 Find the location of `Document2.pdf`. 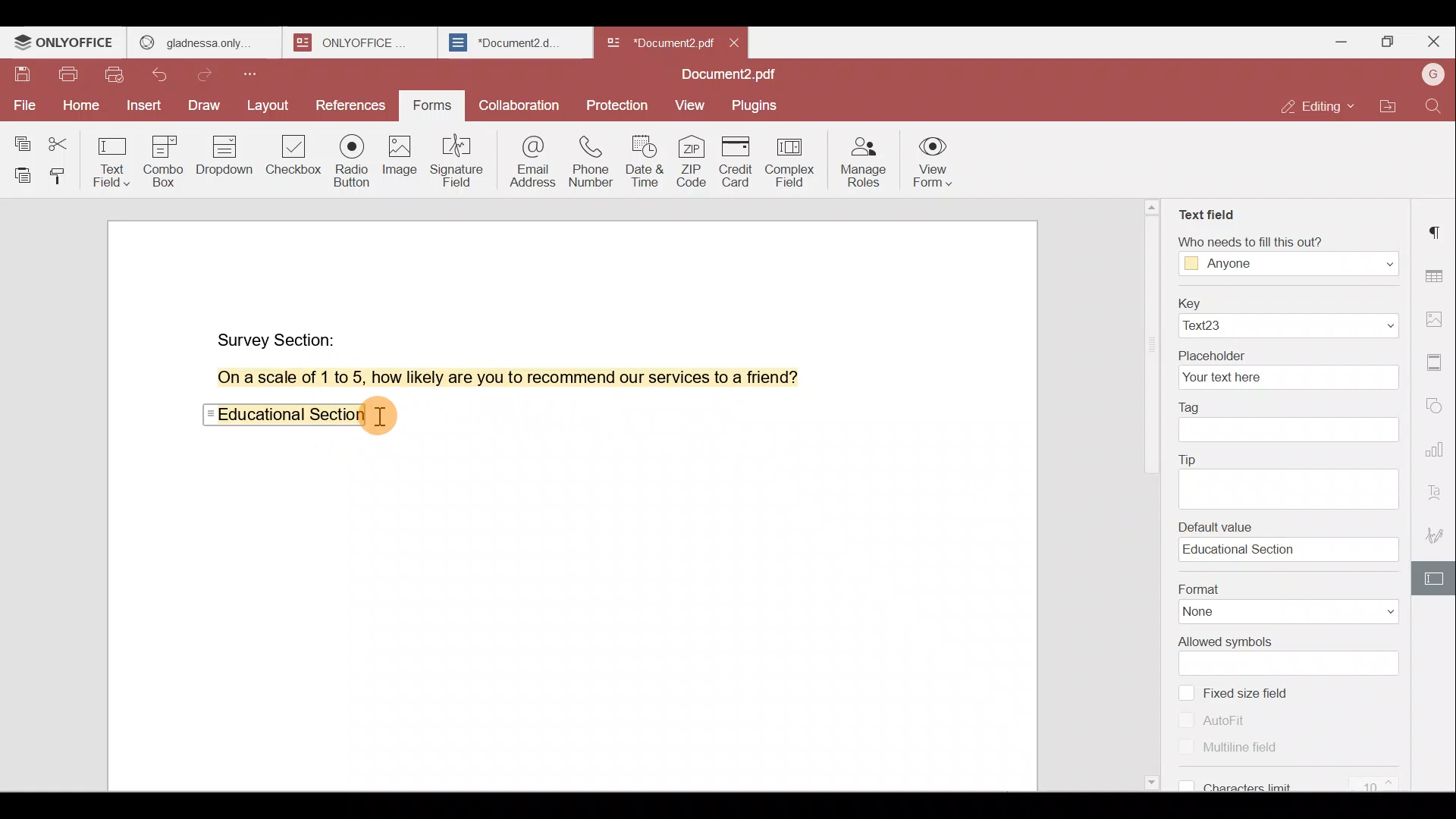

Document2.pdf is located at coordinates (657, 42).